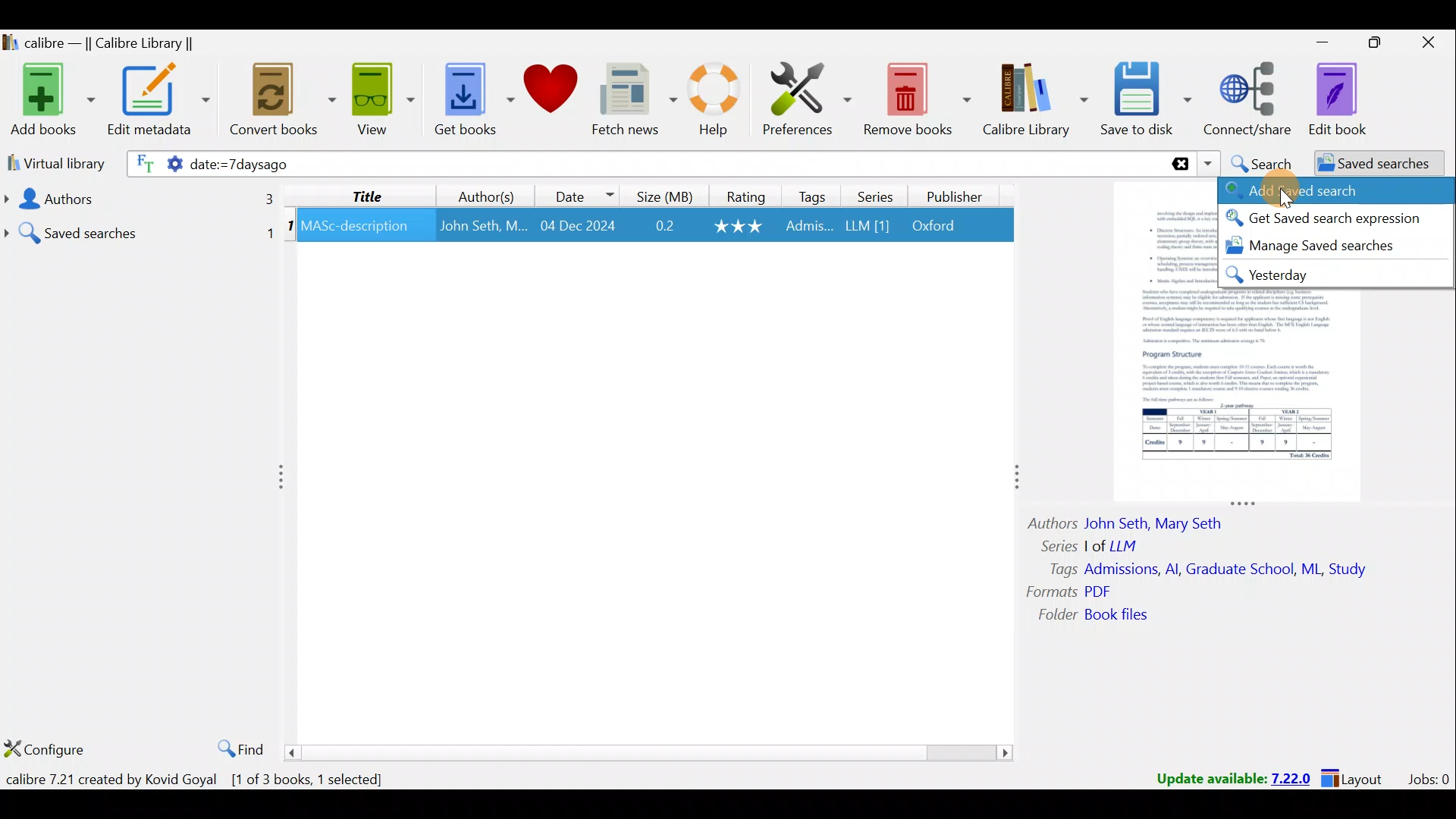  What do you see at coordinates (1314, 42) in the screenshot?
I see `Minimize` at bounding box center [1314, 42].